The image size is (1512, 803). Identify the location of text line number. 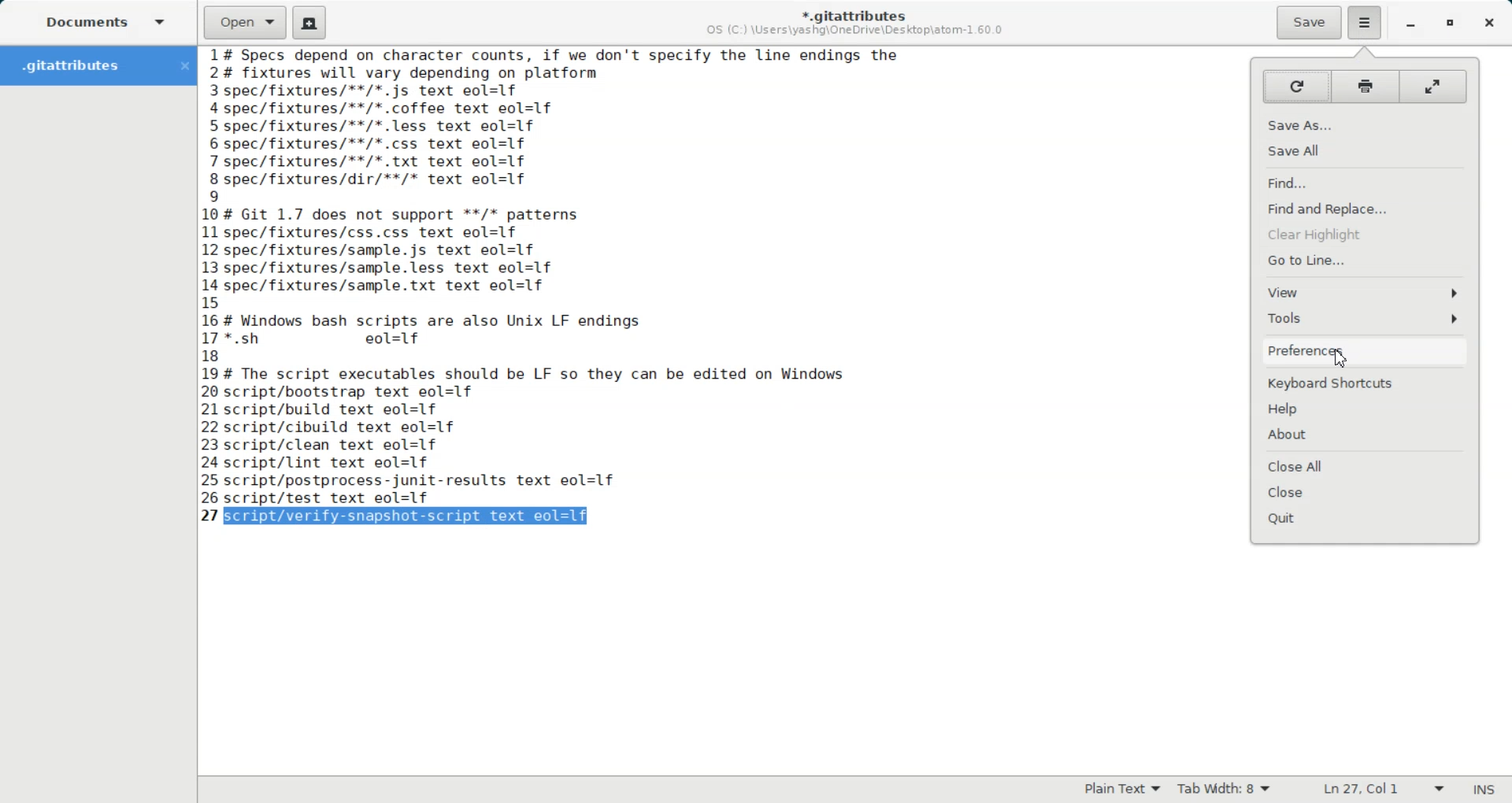
(213, 275).